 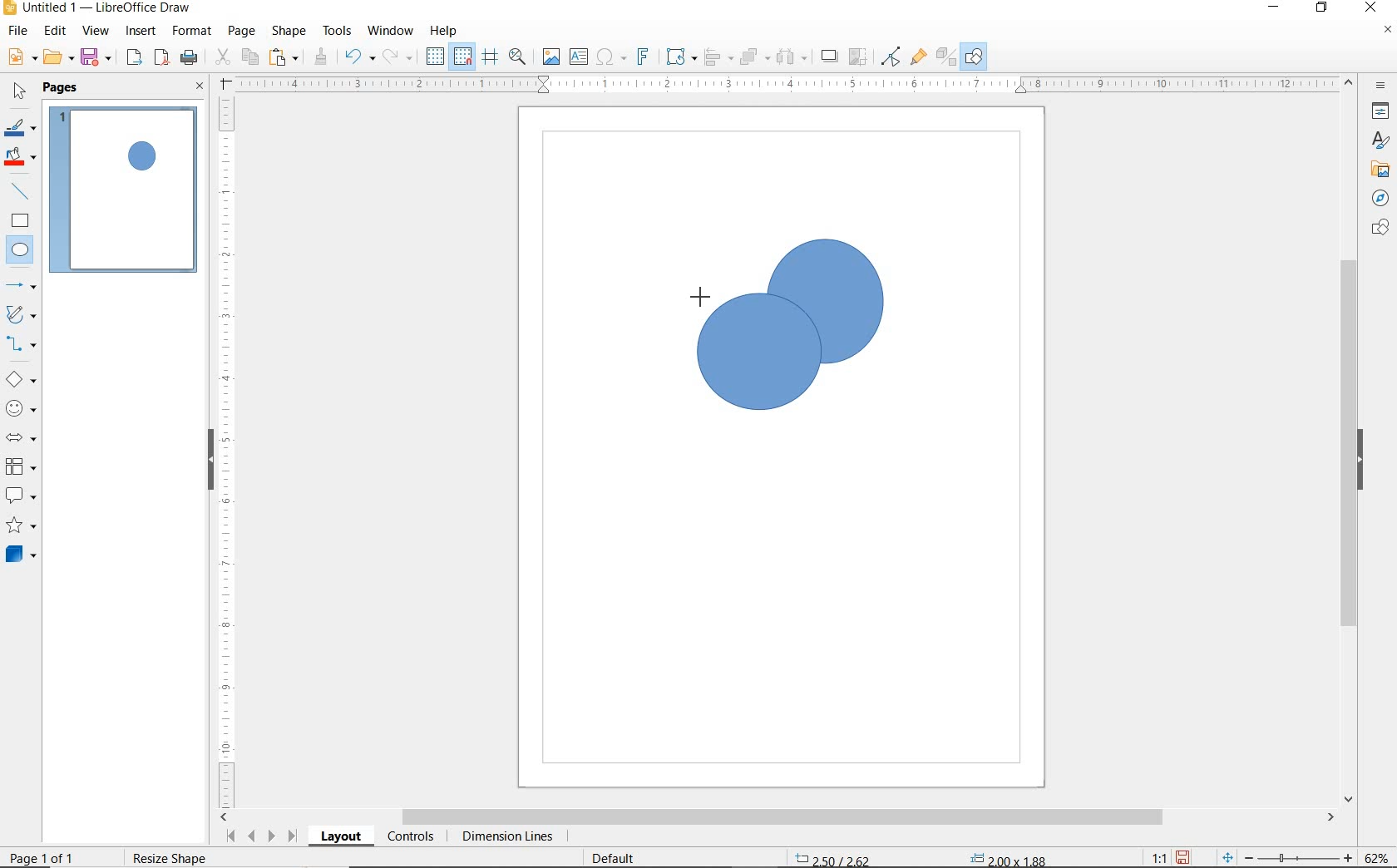 I want to click on DISPLAY GRID, so click(x=437, y=57).